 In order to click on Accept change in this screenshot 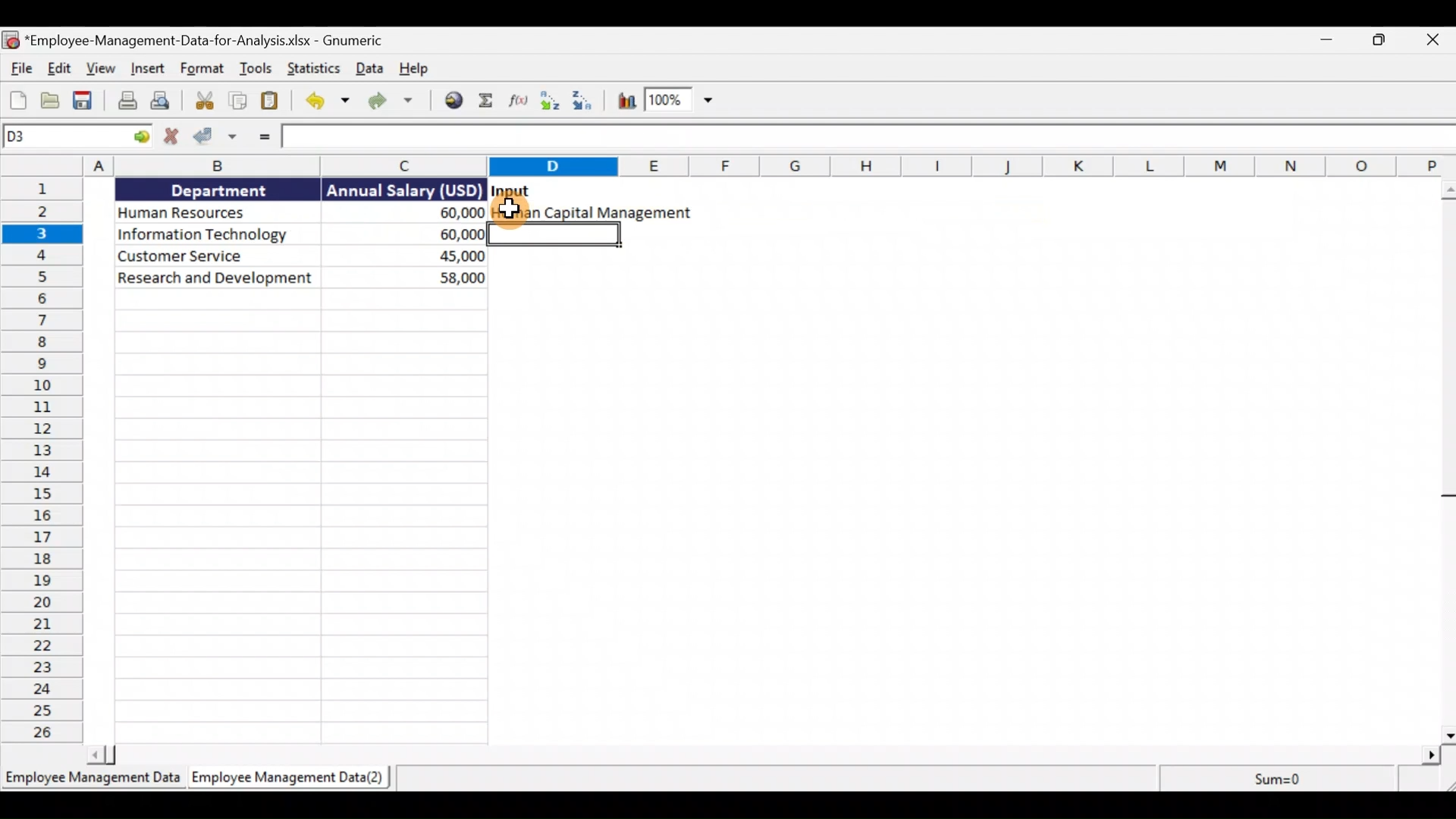, I will do `click(215, 138)`.